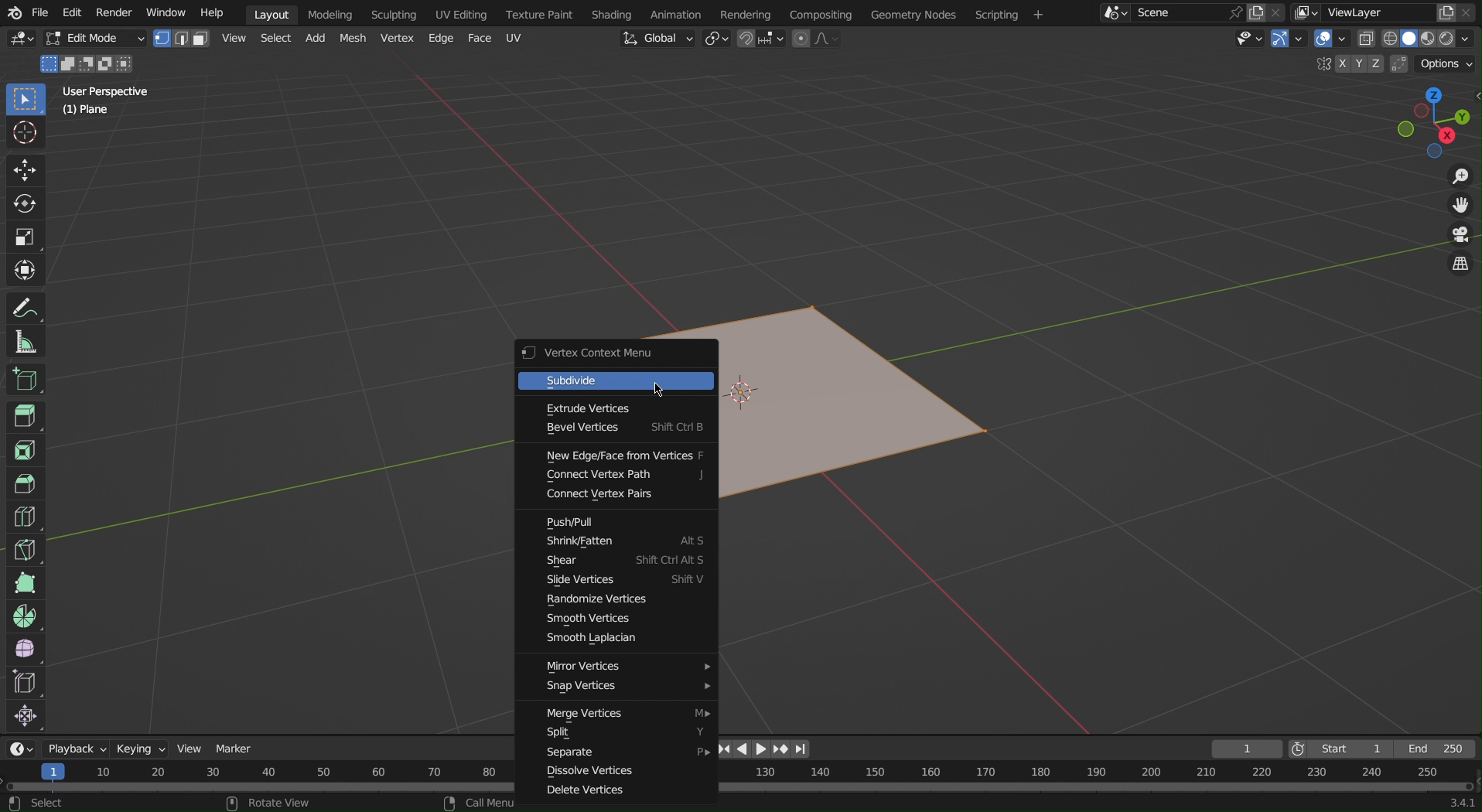 Image resolution: width=1482 pixels, height=812 pixels. Describe the element at coordinates (25, 549) in the screenshot. I see `Knife` at that location.